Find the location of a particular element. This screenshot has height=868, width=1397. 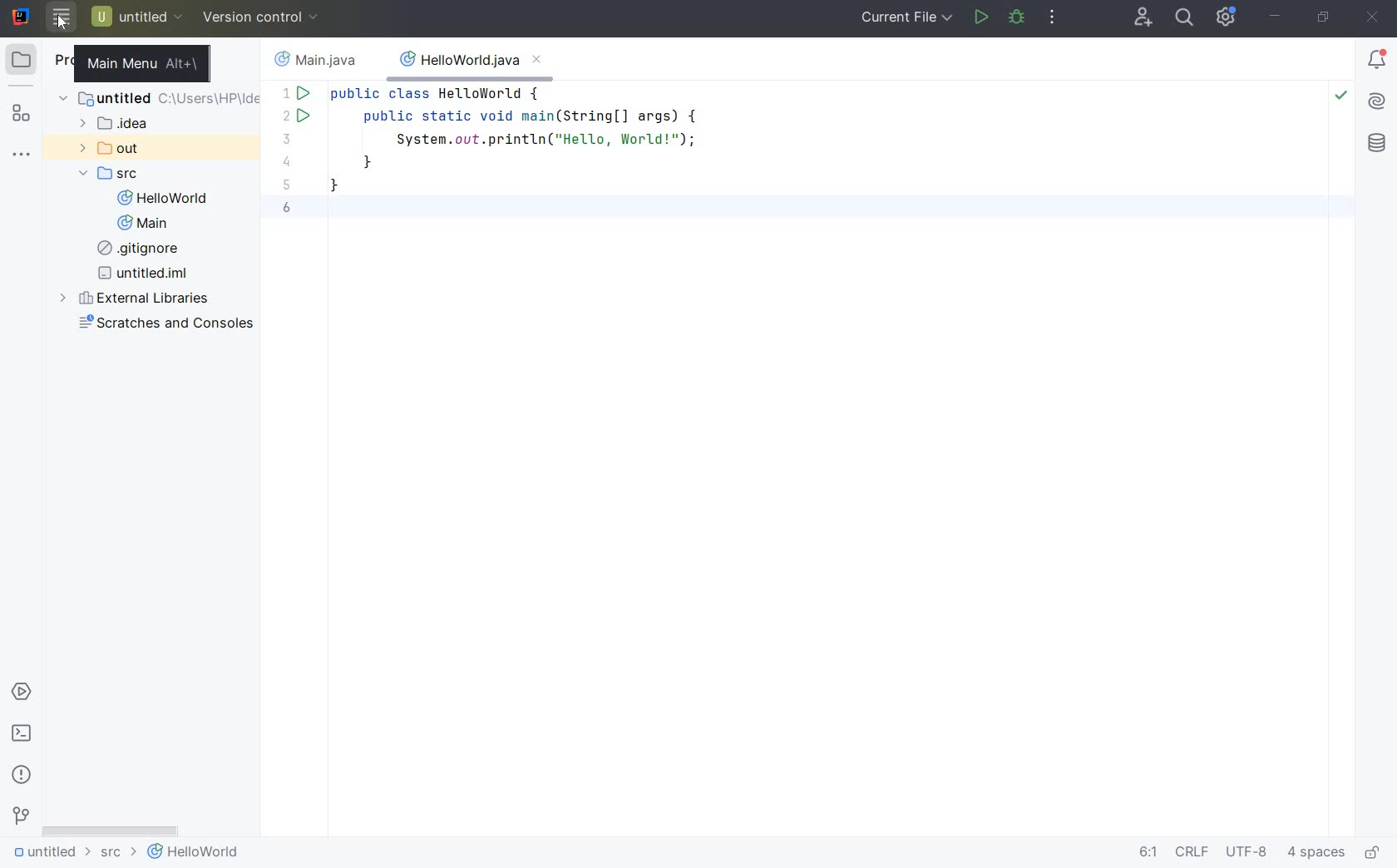

search everywhere is located at coordinates (1184, 17).